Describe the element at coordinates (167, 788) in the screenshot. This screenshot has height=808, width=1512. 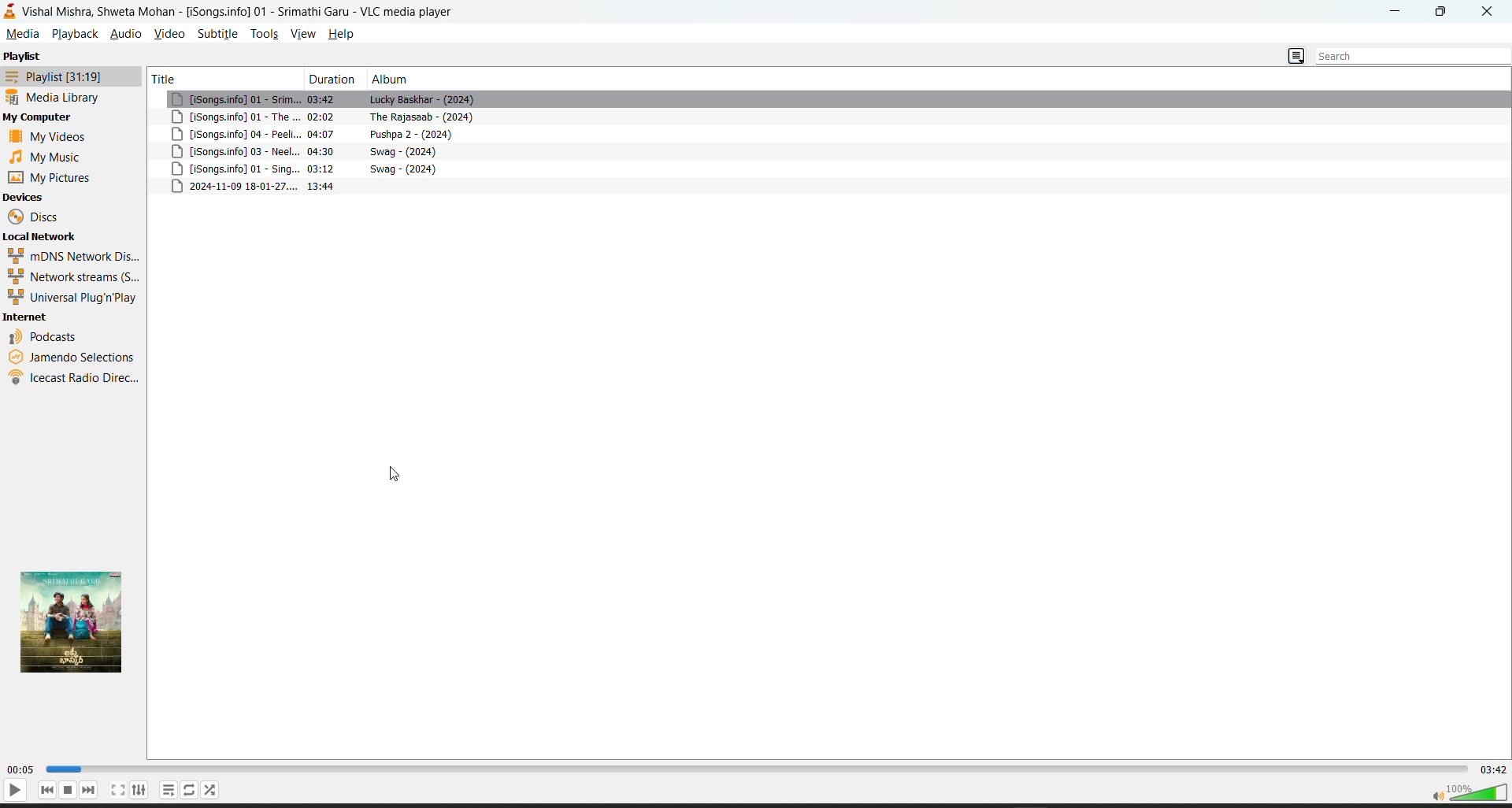
I see `playlist` at that location.